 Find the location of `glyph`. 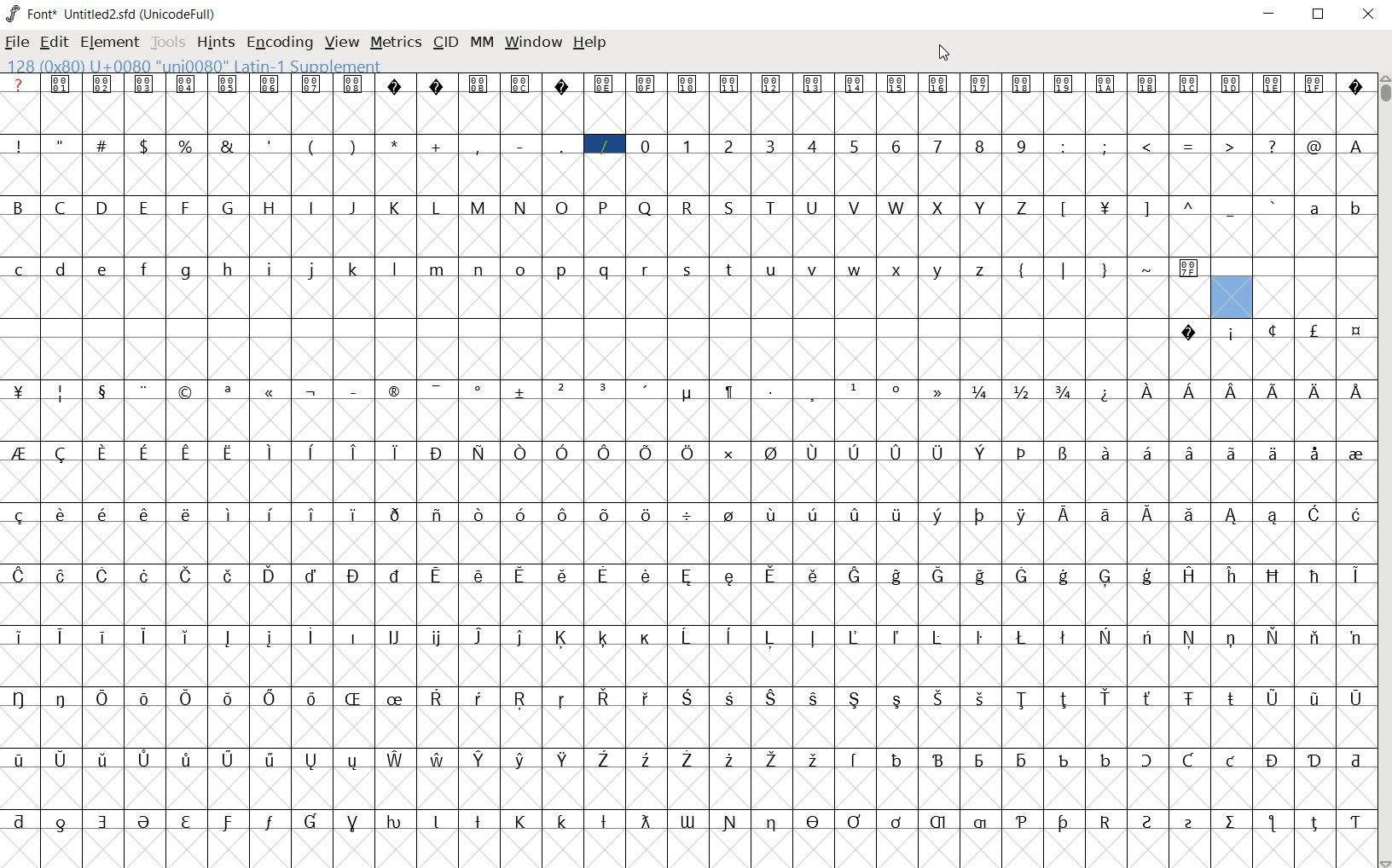

glyph is located at coordinates (20, 821).